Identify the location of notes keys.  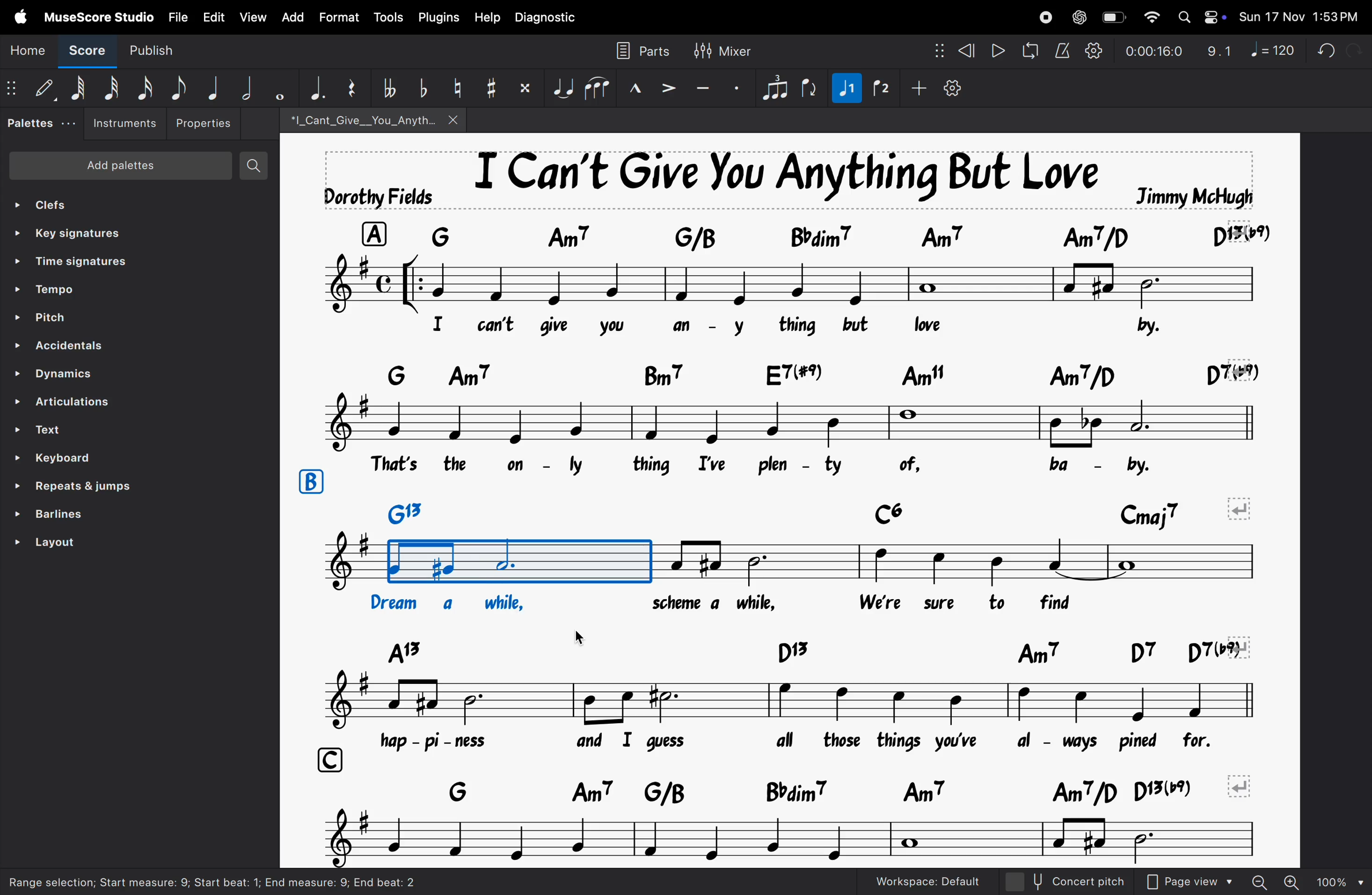
(805, 789).